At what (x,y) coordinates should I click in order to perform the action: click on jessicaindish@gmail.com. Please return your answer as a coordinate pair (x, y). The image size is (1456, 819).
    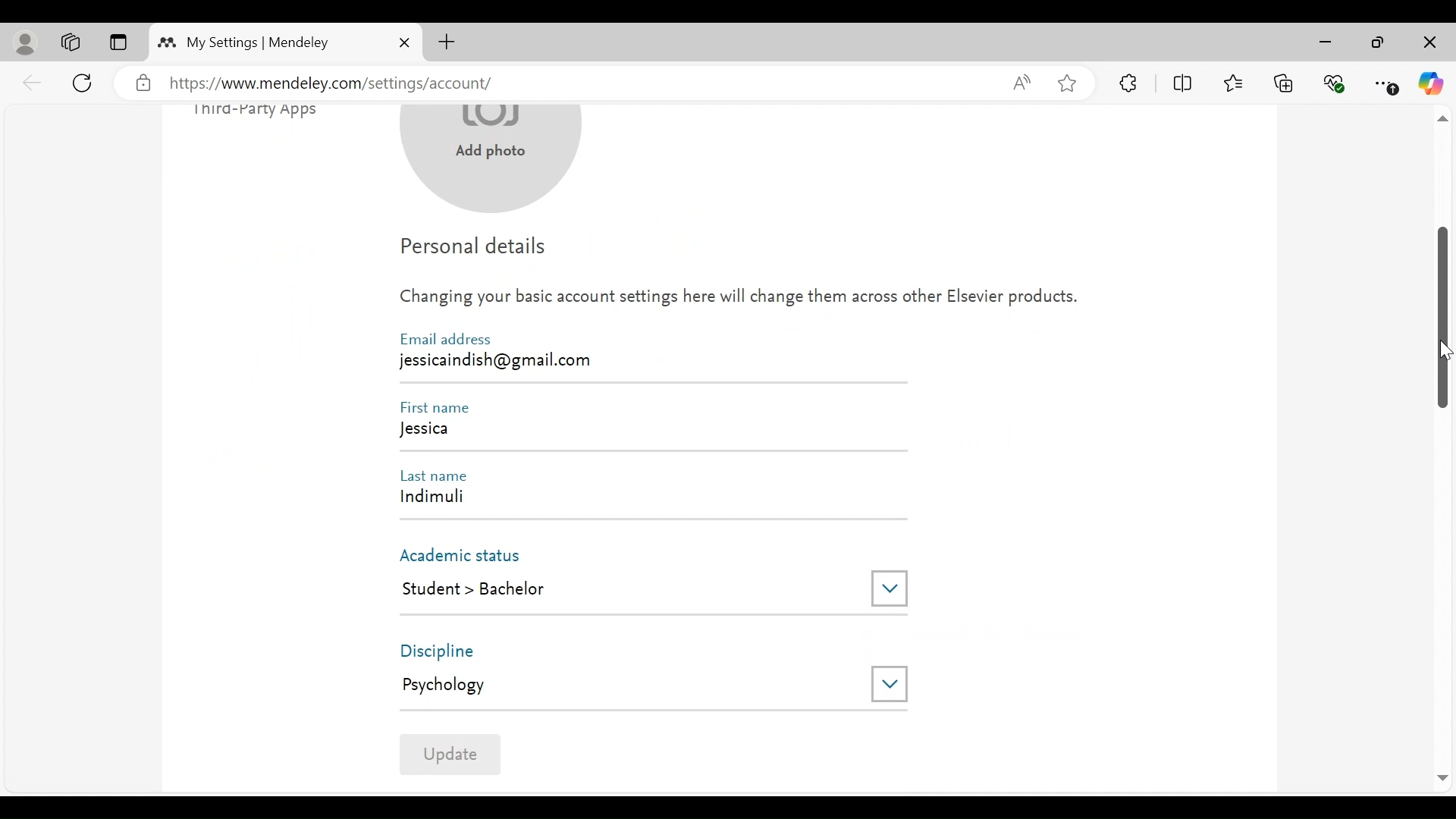
    Looking at the image, I should click on (500, 359).